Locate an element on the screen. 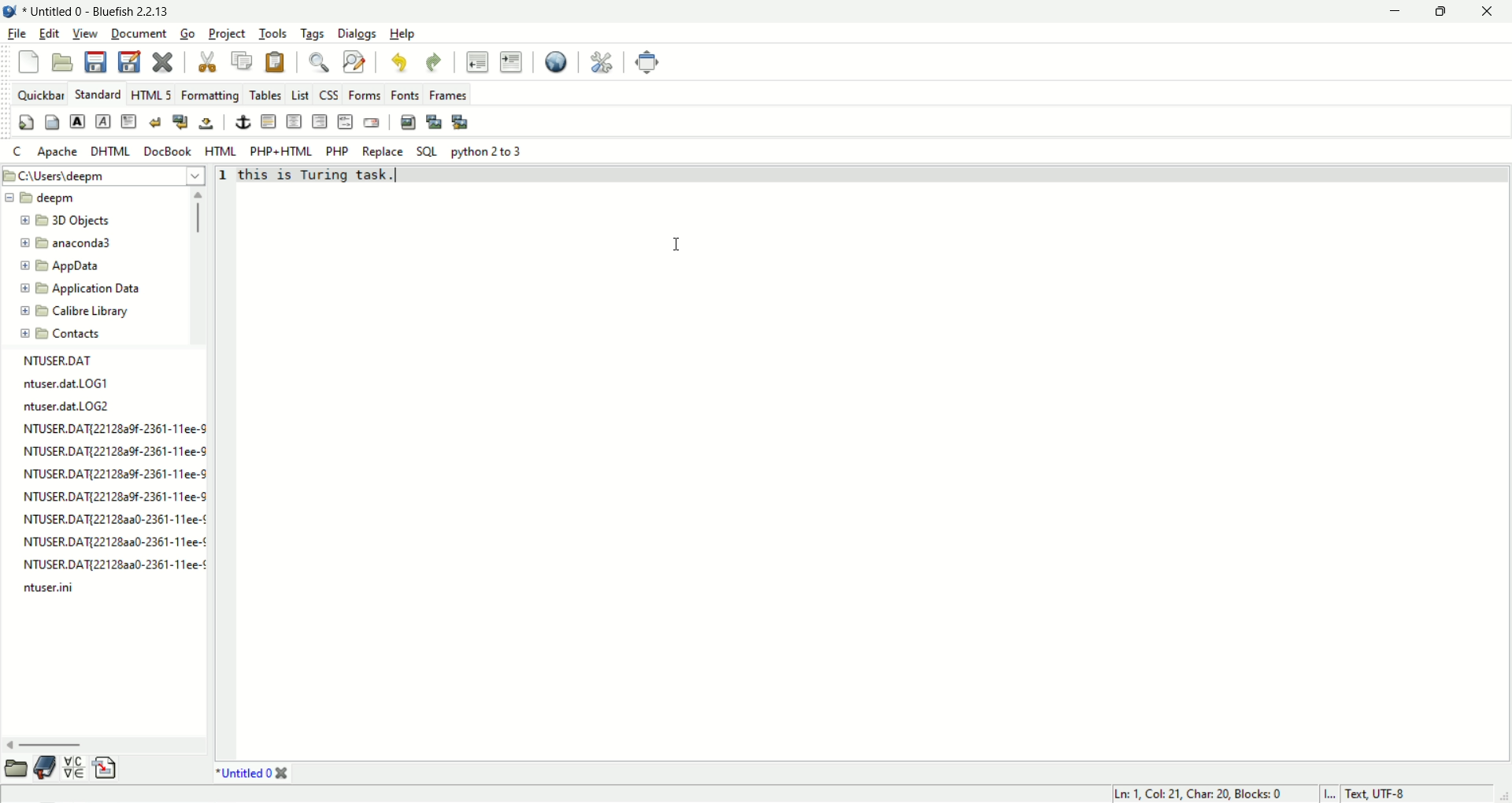 The height and width of the screenshot is (803, 1512). tags is located at coordinates (313, 34).